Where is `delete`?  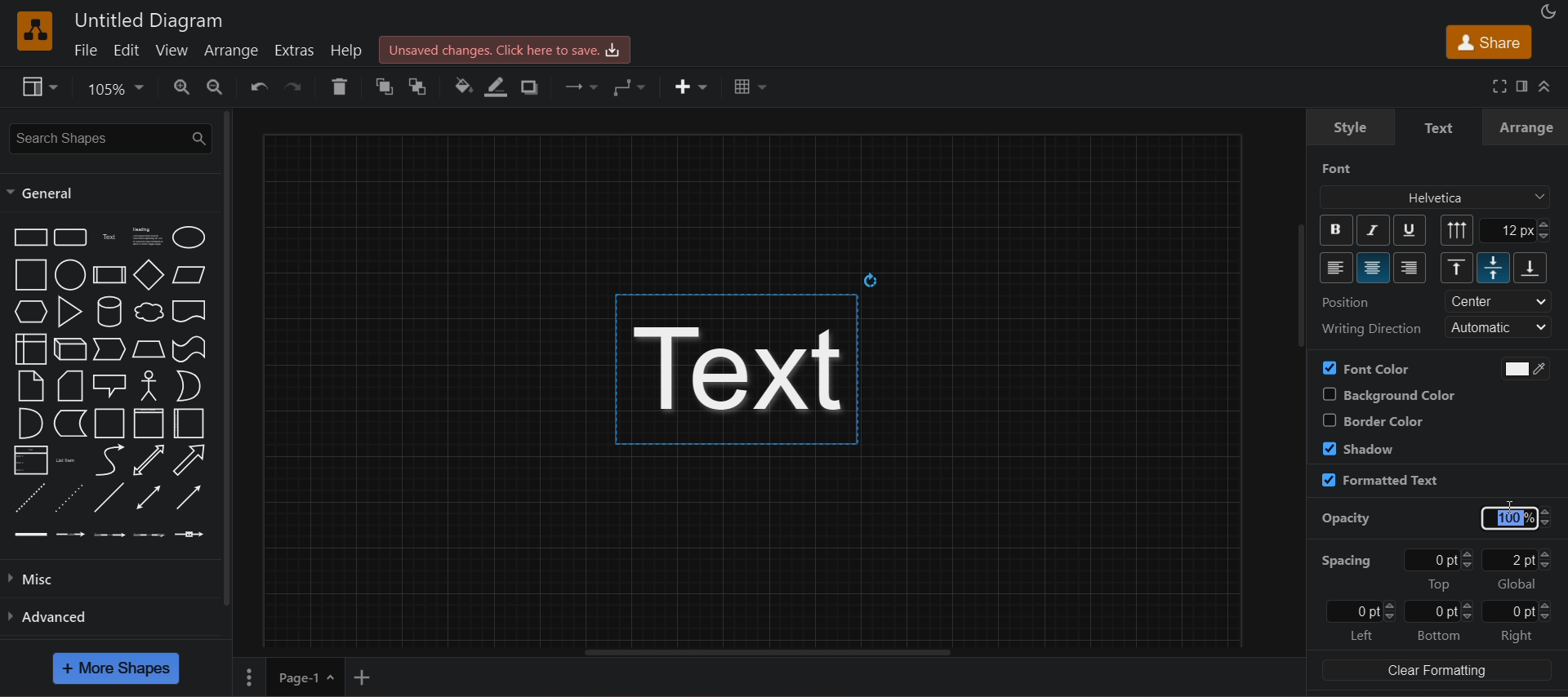
delete is located at coordinates (340, 86).